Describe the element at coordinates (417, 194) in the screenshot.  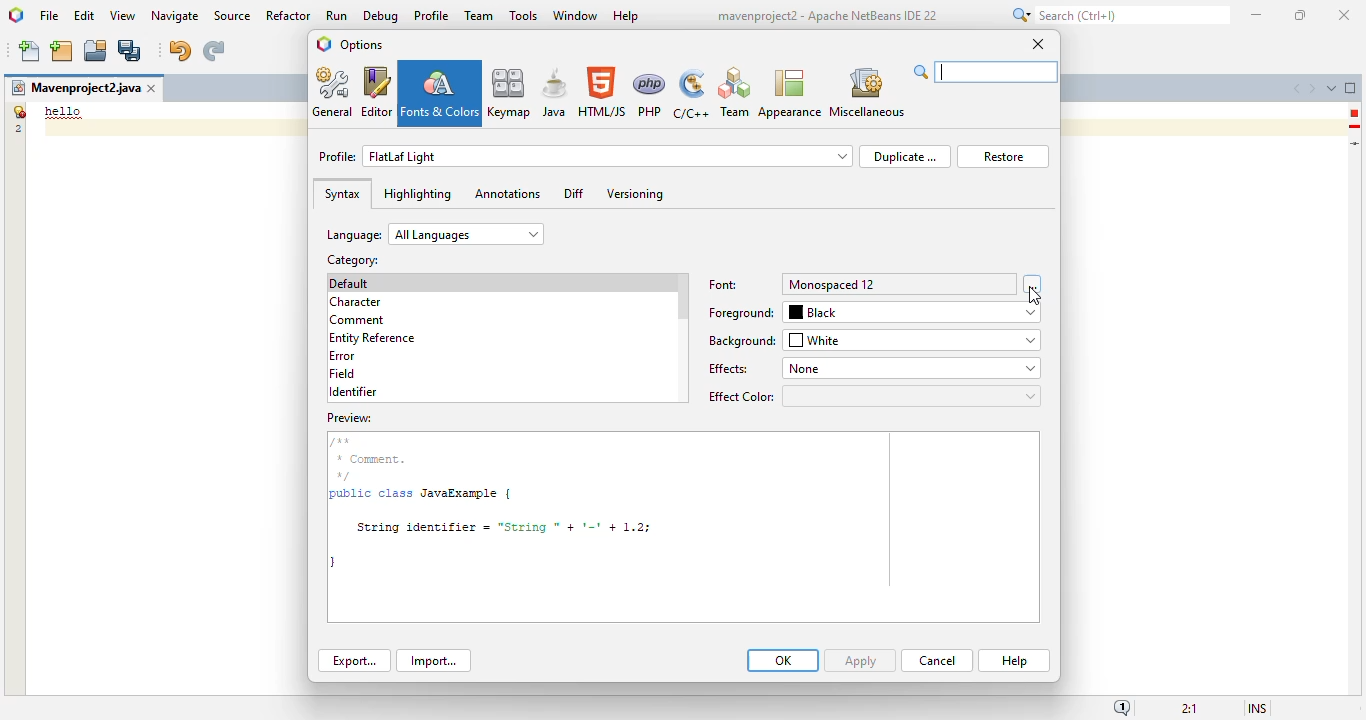
I see `highlighting` at that location.